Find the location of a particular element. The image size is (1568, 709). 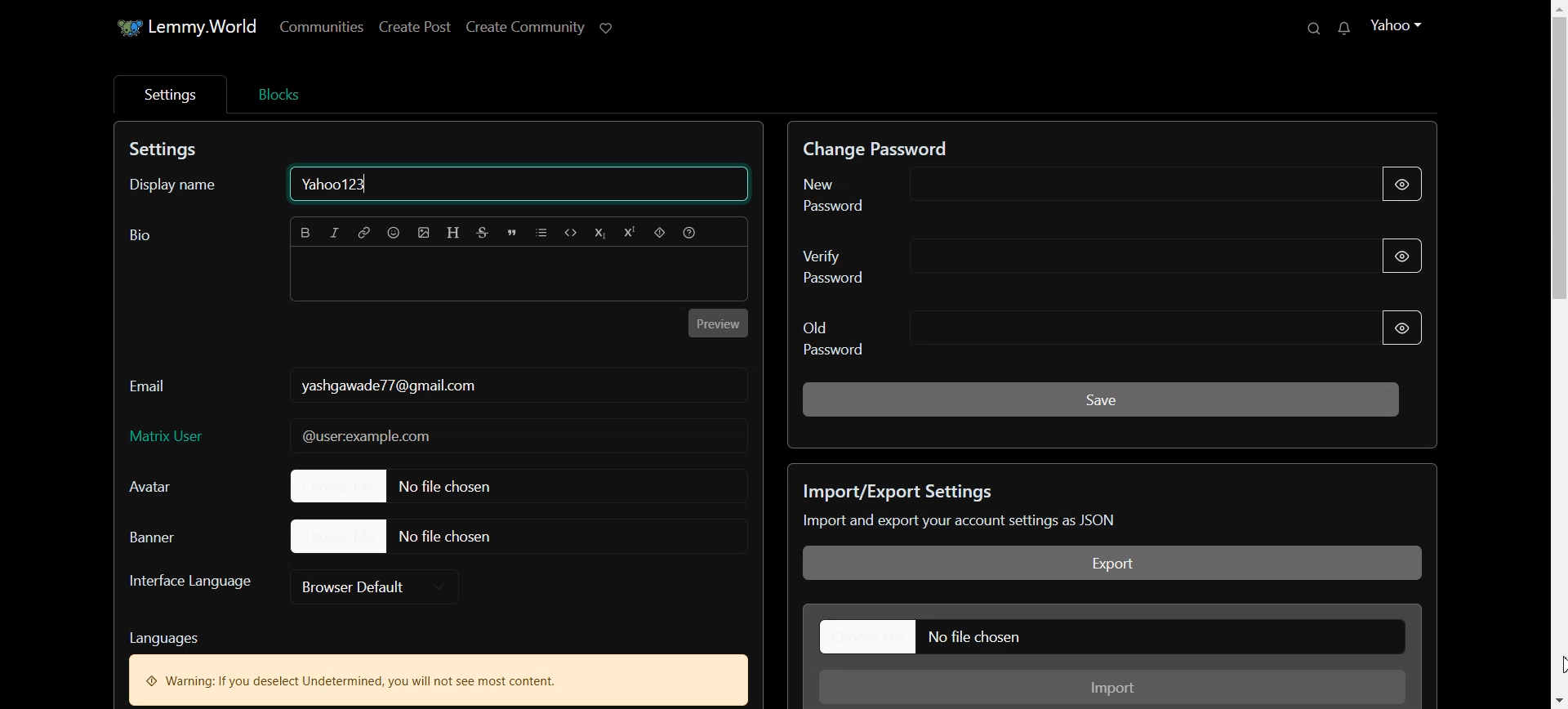

Hide Password is located at coordinates (1402, 328).